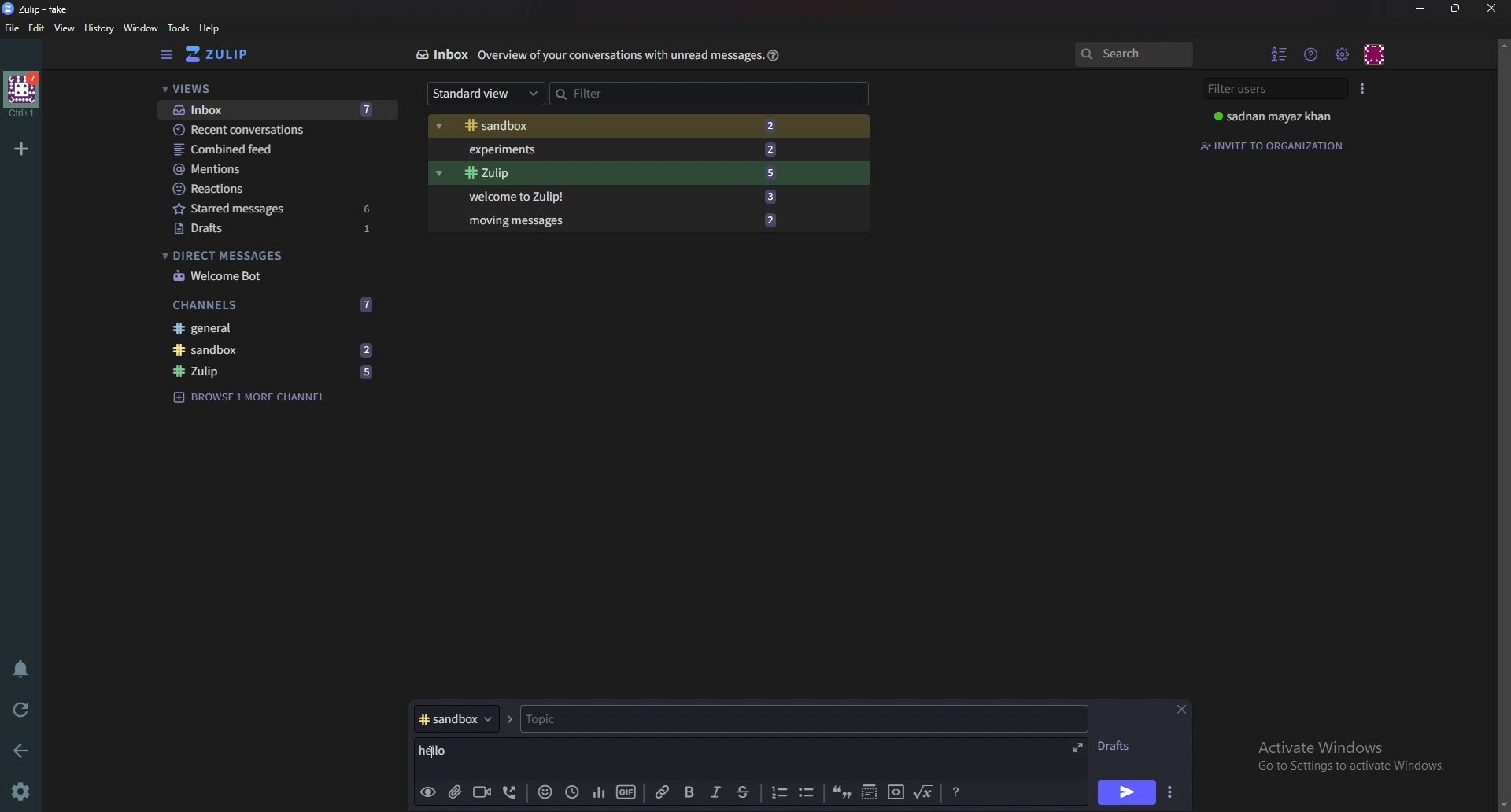  I want to click on back, so click(22, 751).